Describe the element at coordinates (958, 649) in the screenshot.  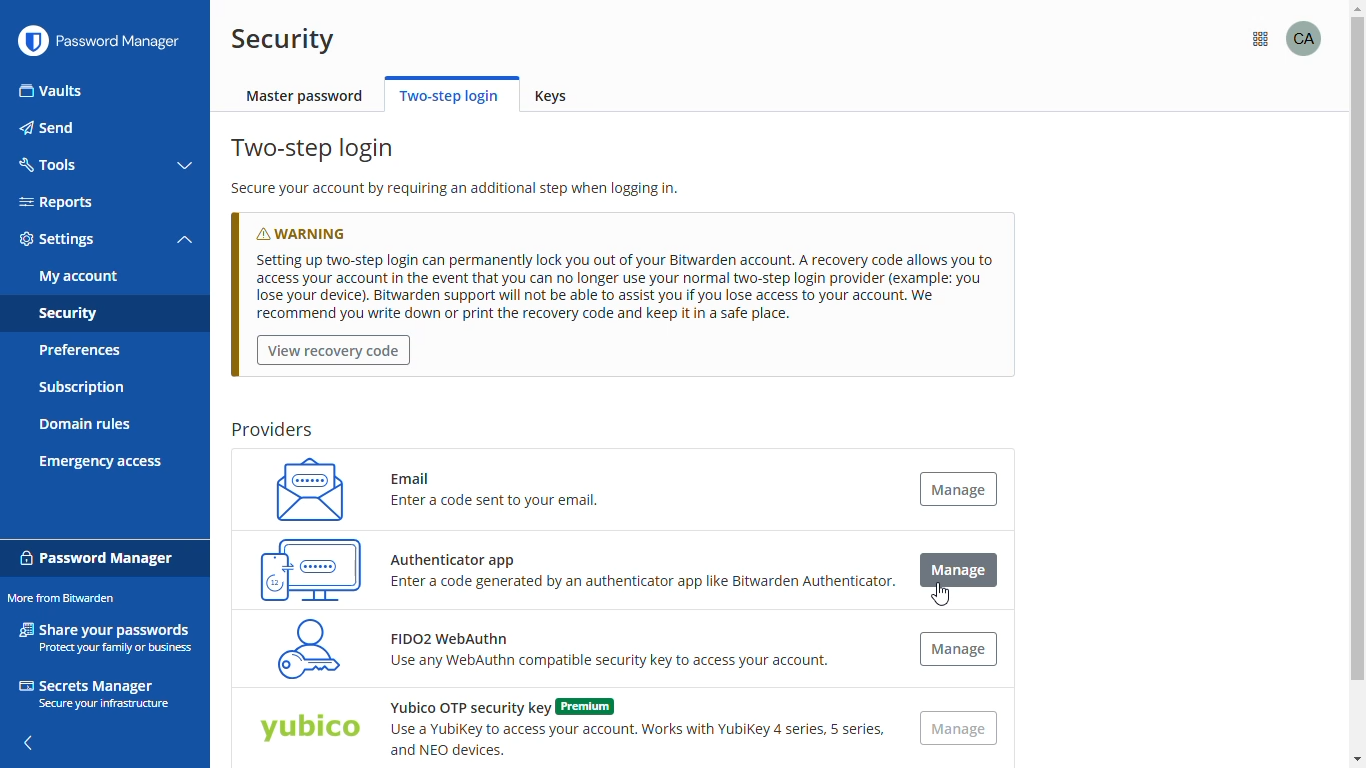
I see `manage` at that location.